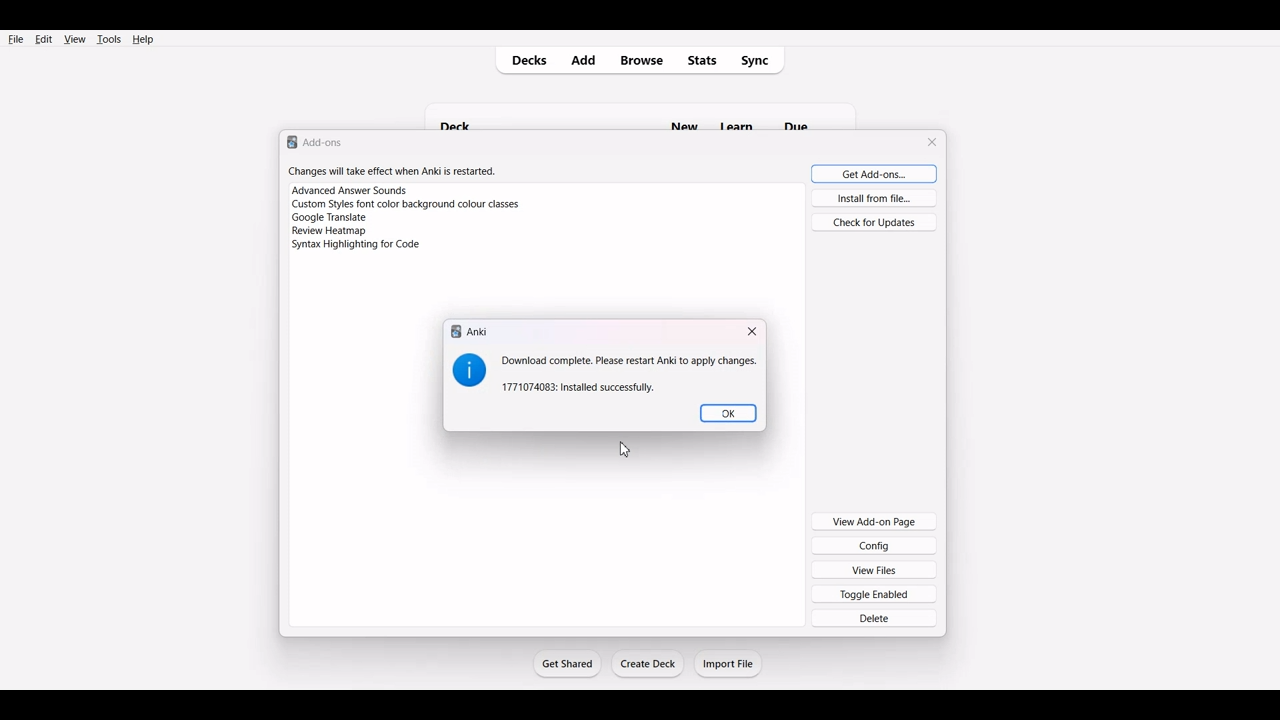 The width and height of the screenshot is (1280, 720). I want to click on Tools, so click(108, 39).